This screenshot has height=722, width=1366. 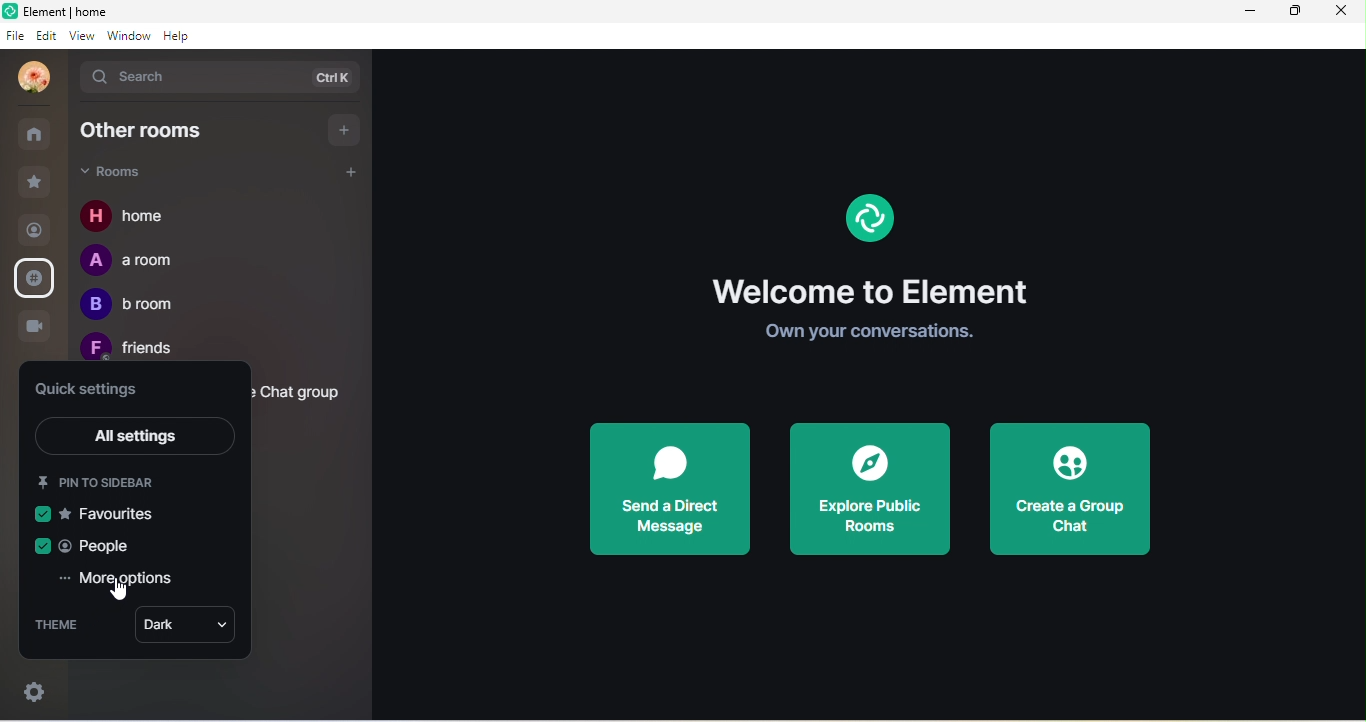 I want to click on window, so click(x=130, y=36).